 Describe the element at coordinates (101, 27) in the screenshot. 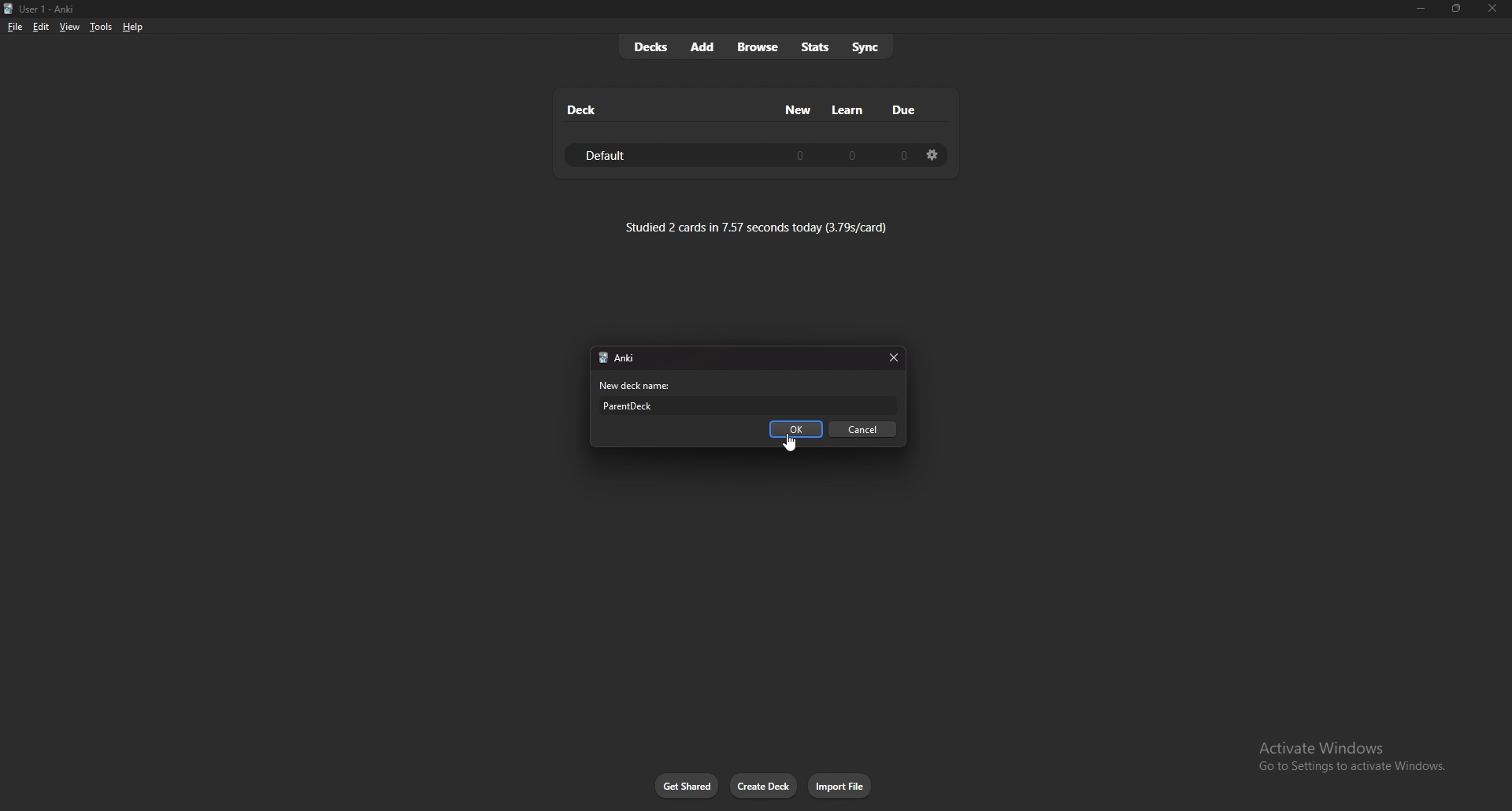

I see `tools` at that location.